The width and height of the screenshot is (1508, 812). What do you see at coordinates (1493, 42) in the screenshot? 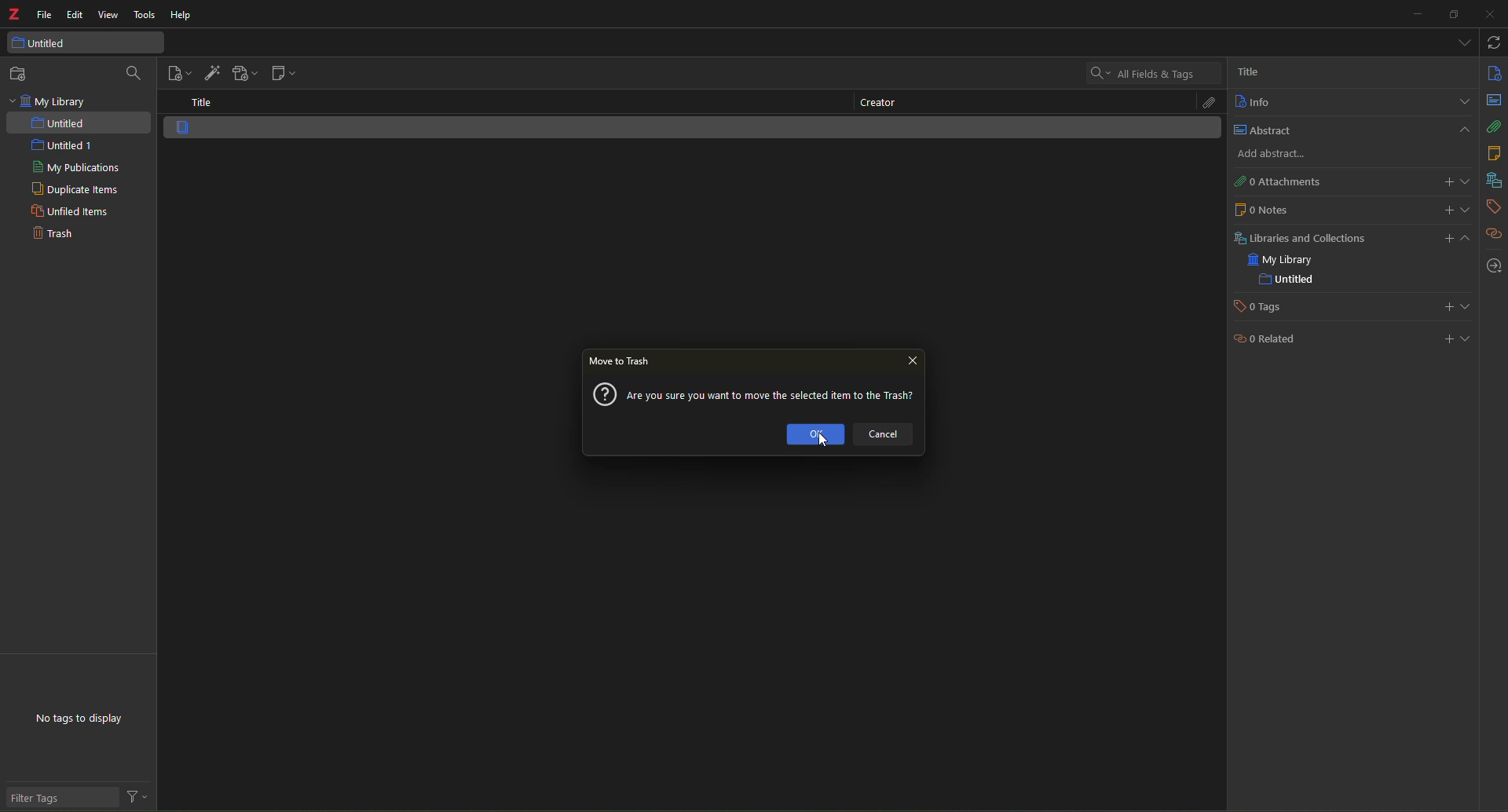
I see `syc` at bounding box center [1493, 42].